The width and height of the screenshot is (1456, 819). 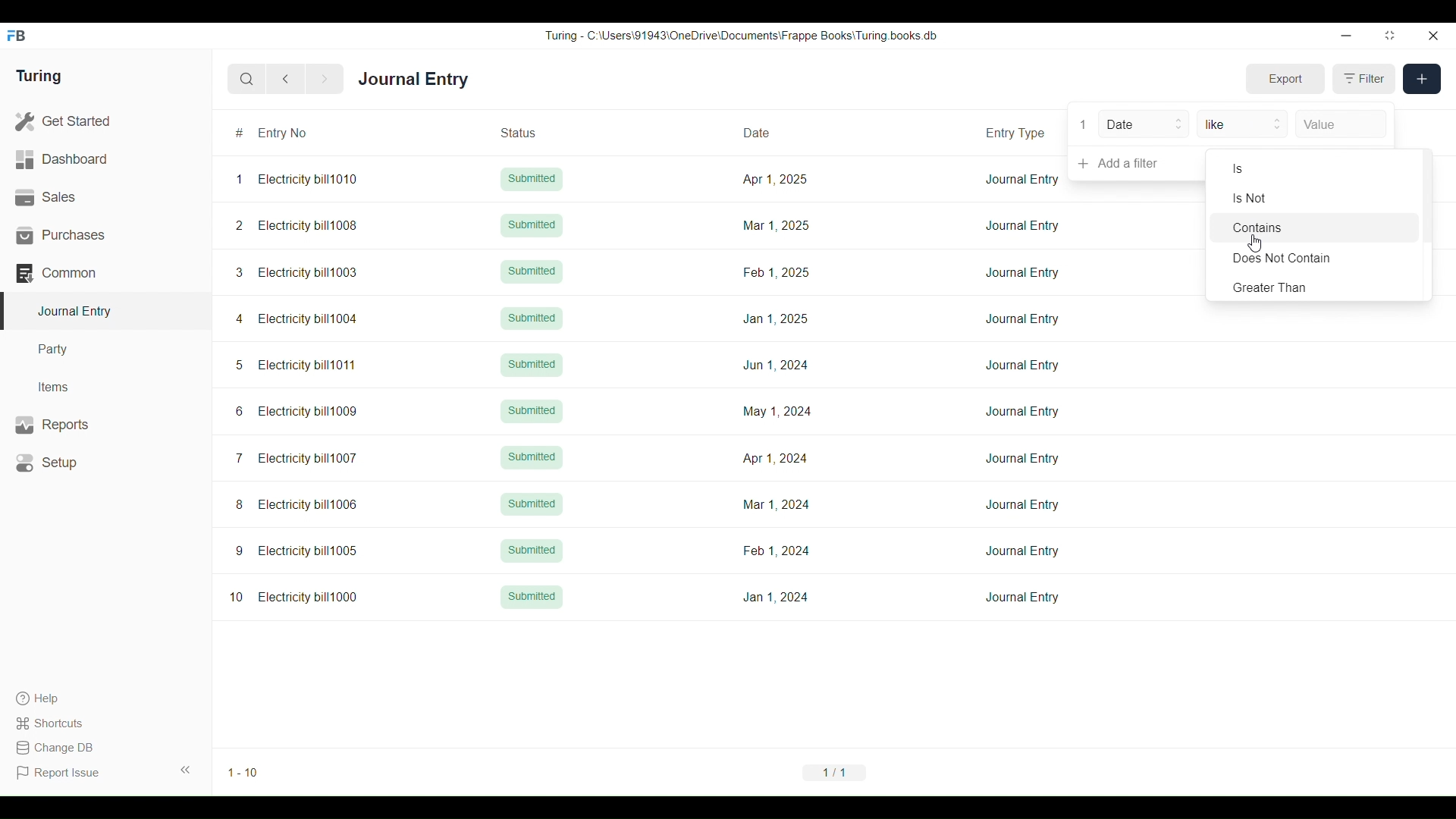 What do you see at coordinates (58, 723) in the screenshot?
I see `Shortcuts` at bounding box center [58, 723].